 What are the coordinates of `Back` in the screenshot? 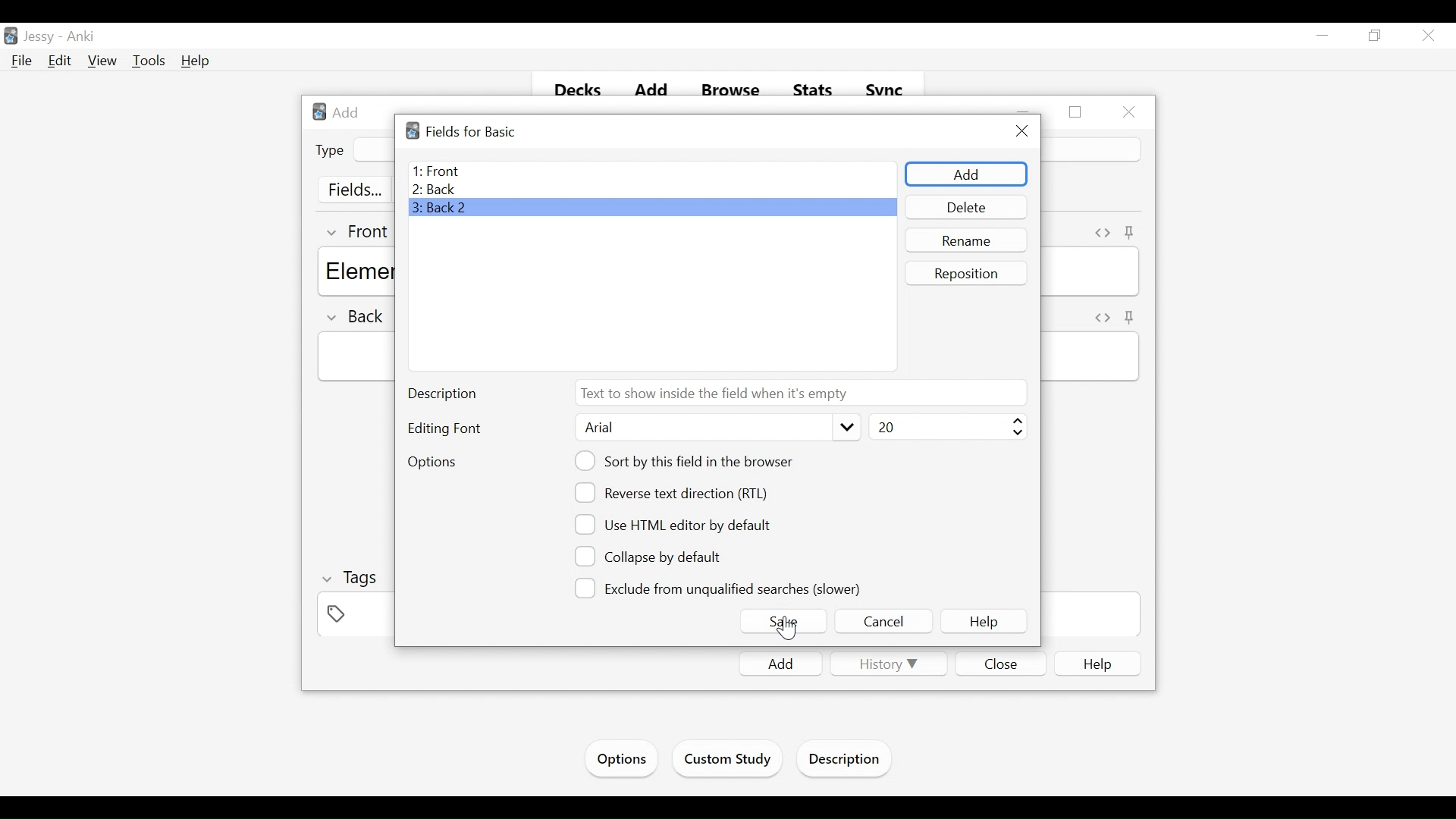 It's located at (652, 187).